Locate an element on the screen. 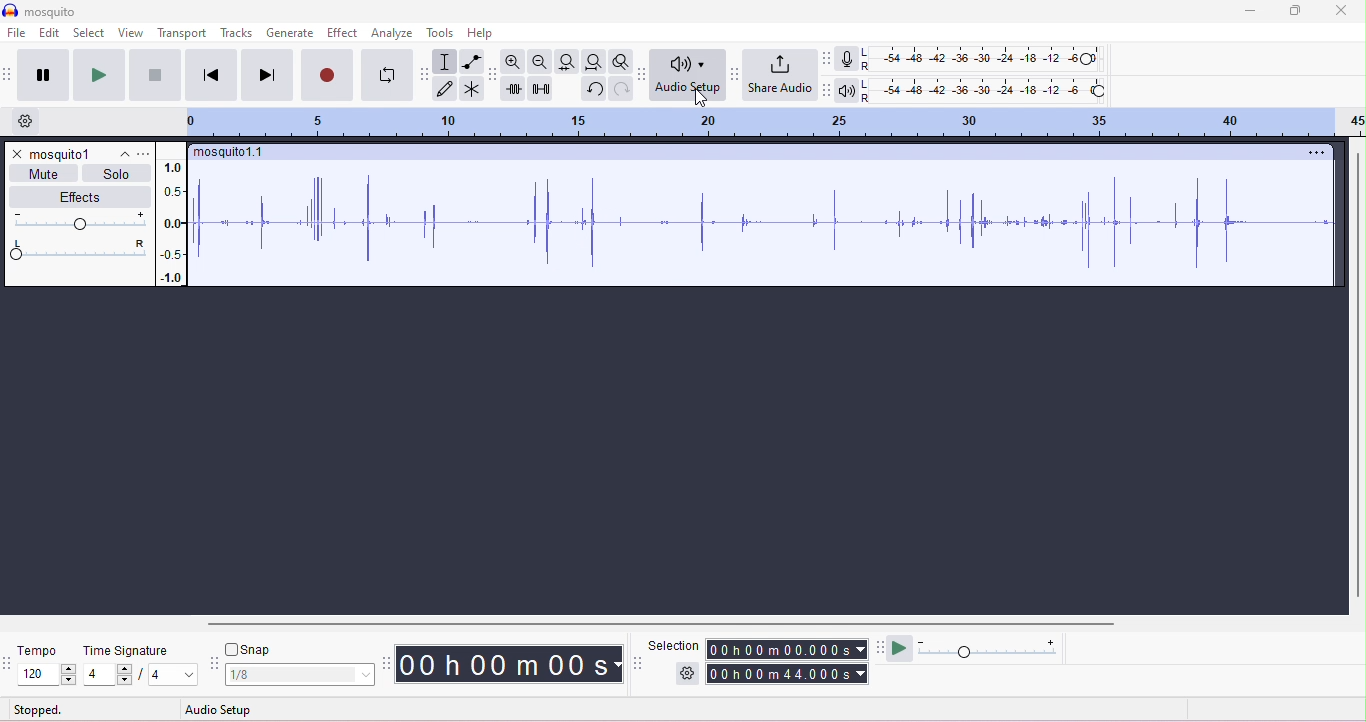 This screenshot has width=1366, height=722. snap is located at coordinates (248, 649).